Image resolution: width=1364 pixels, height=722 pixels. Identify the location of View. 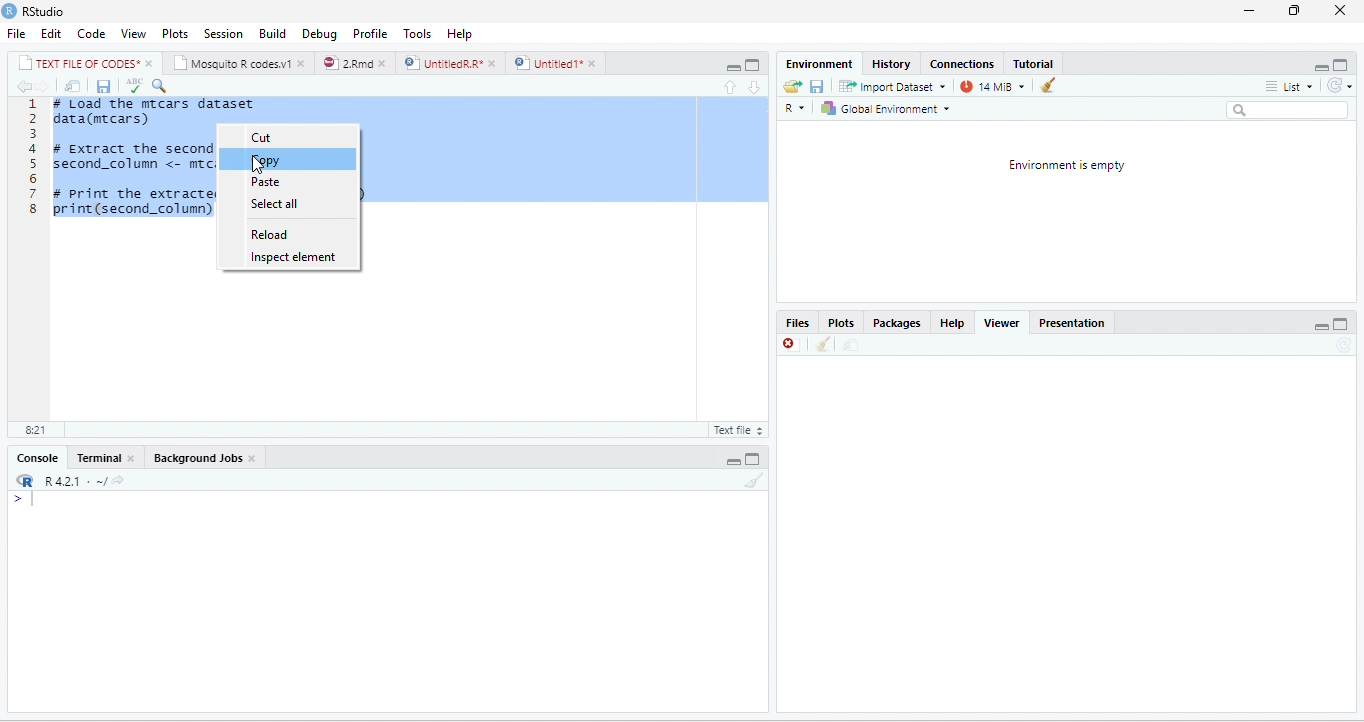
(134, 32).